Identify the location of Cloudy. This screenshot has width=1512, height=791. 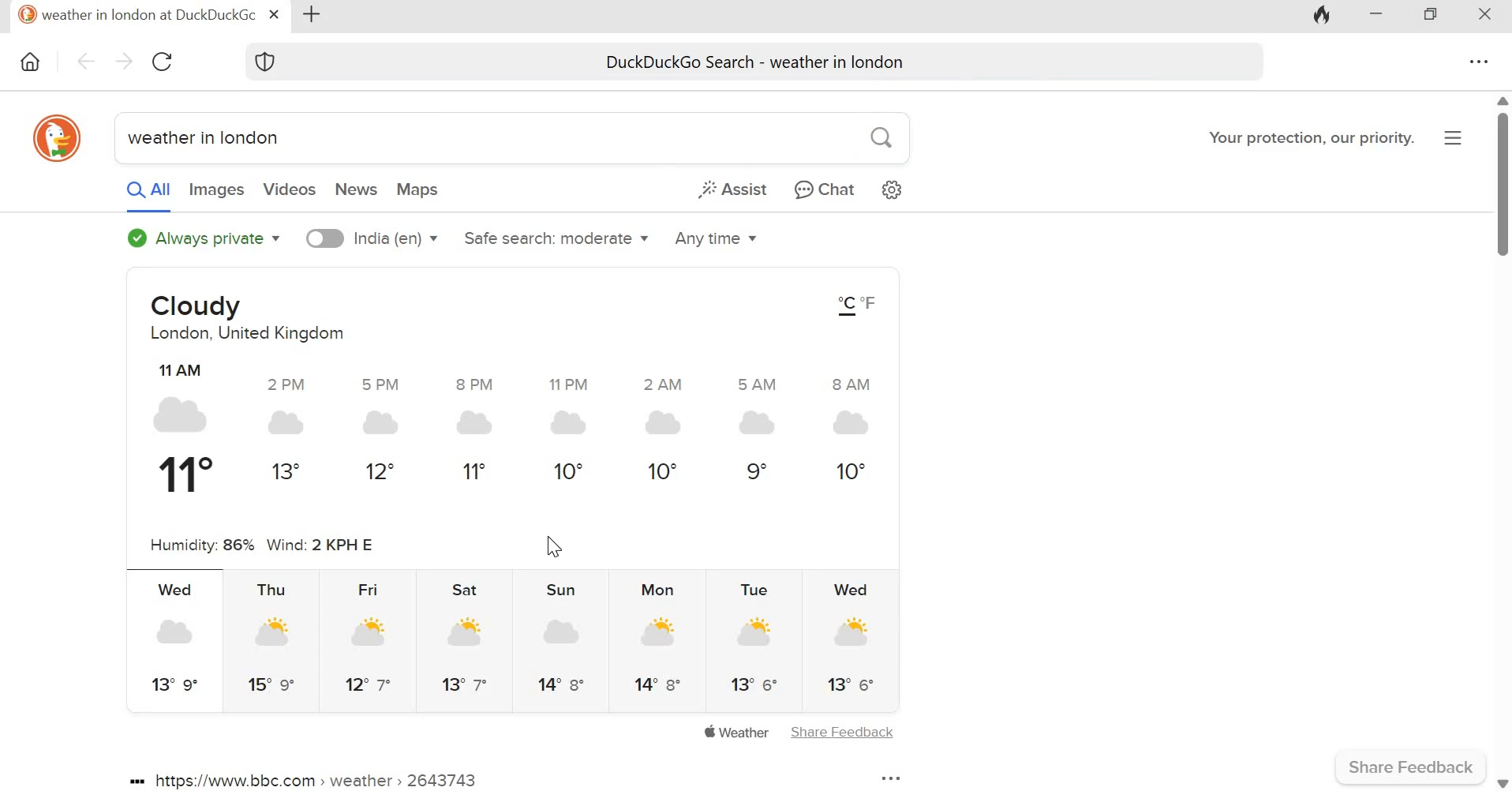
(196, 307).